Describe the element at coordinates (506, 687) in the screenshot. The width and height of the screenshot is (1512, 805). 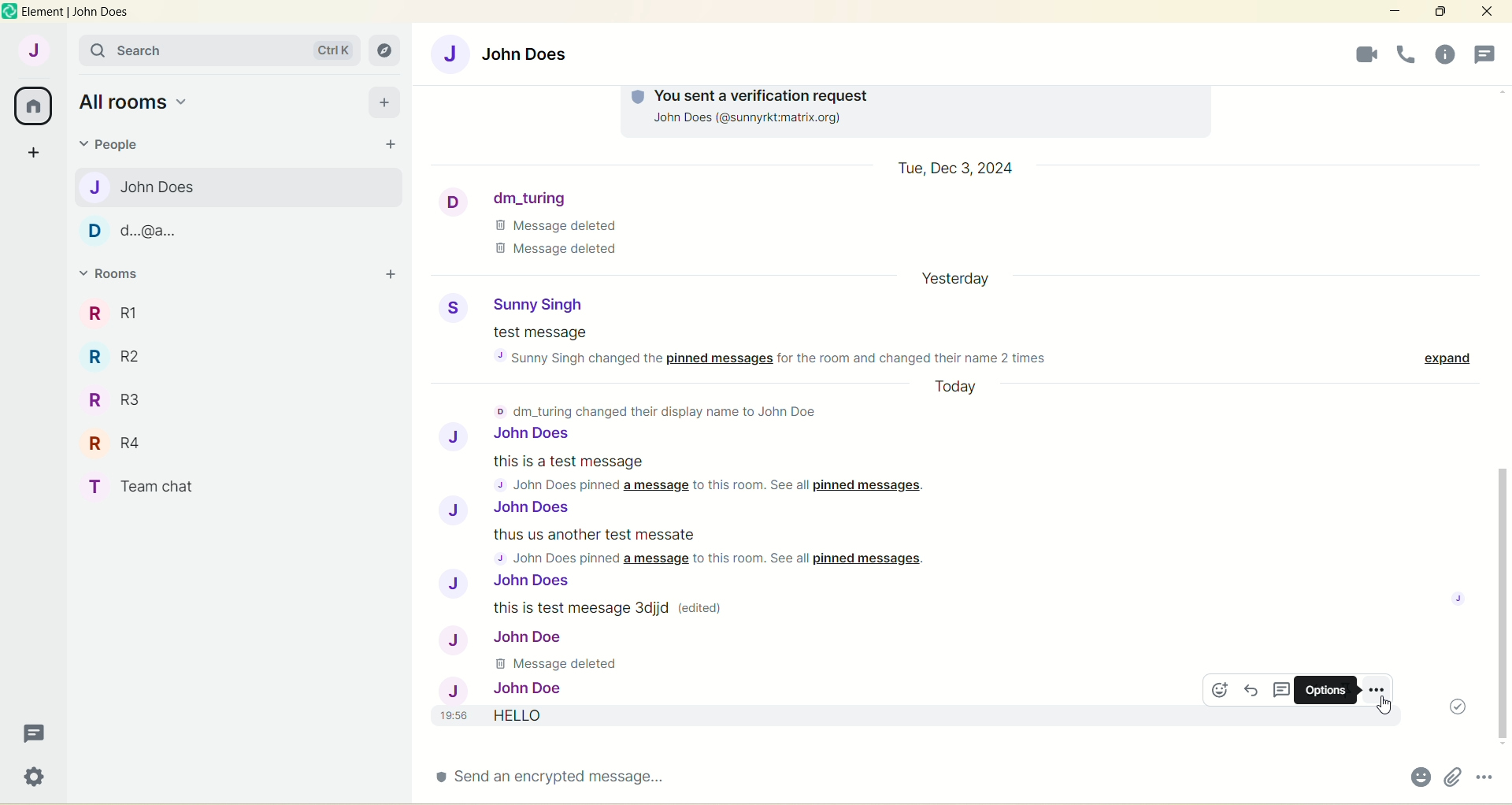
I see `John Doe` at that location.